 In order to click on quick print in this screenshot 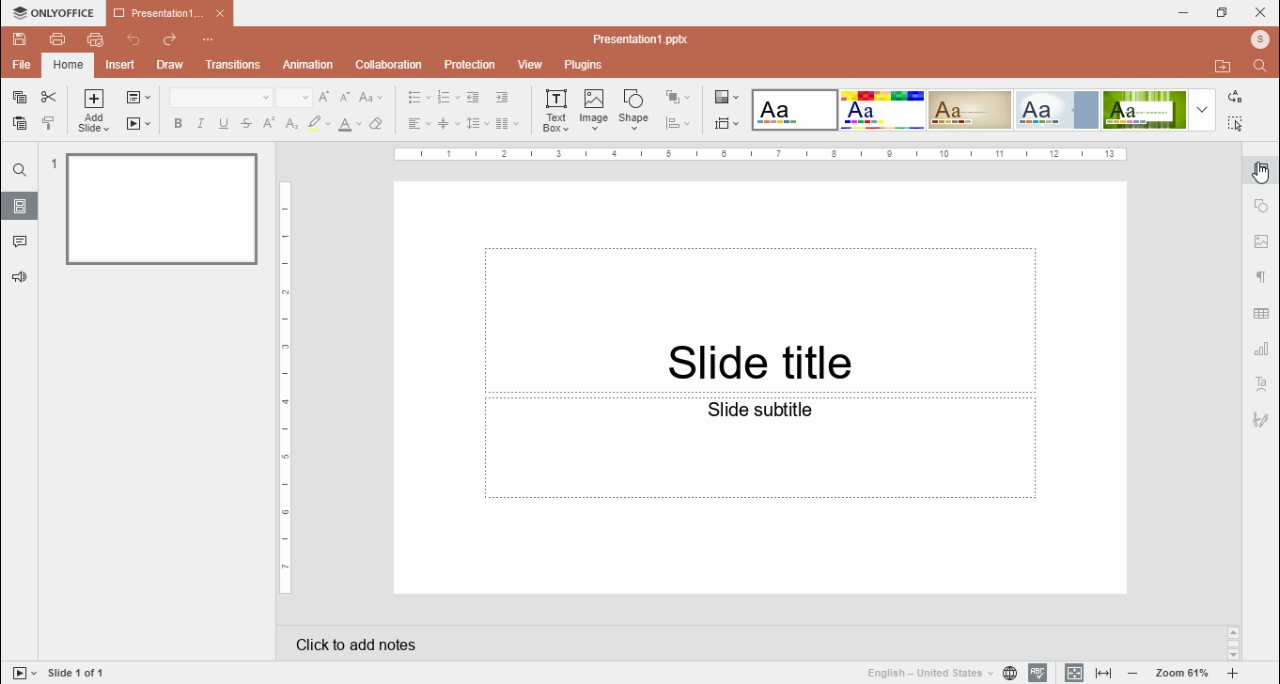, I will do `click(95, 39)`.